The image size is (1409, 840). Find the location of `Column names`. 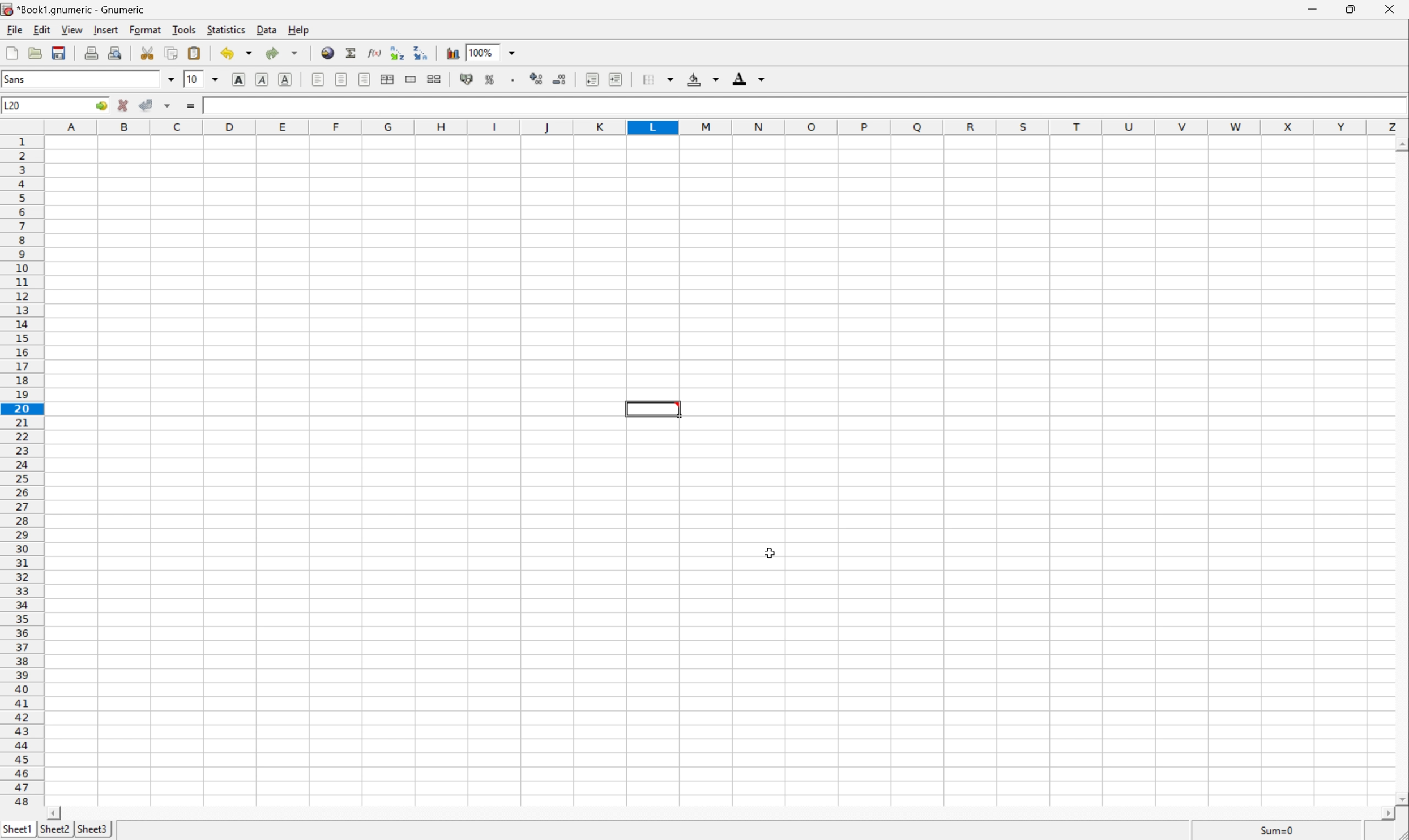

Column names is located at coordinates (727, 127).